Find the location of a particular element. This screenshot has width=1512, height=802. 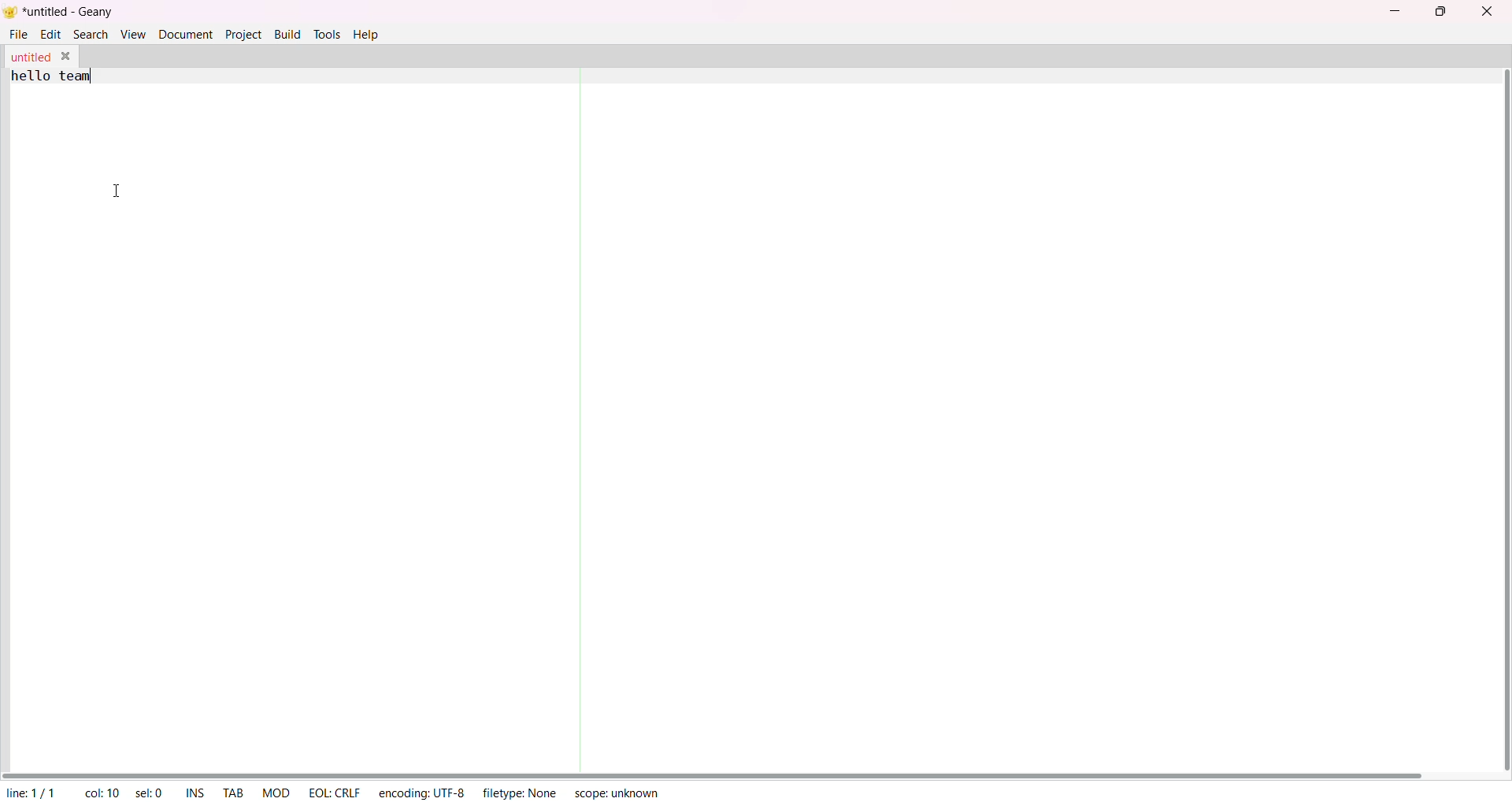

edit is located at coordinates (50, 34).